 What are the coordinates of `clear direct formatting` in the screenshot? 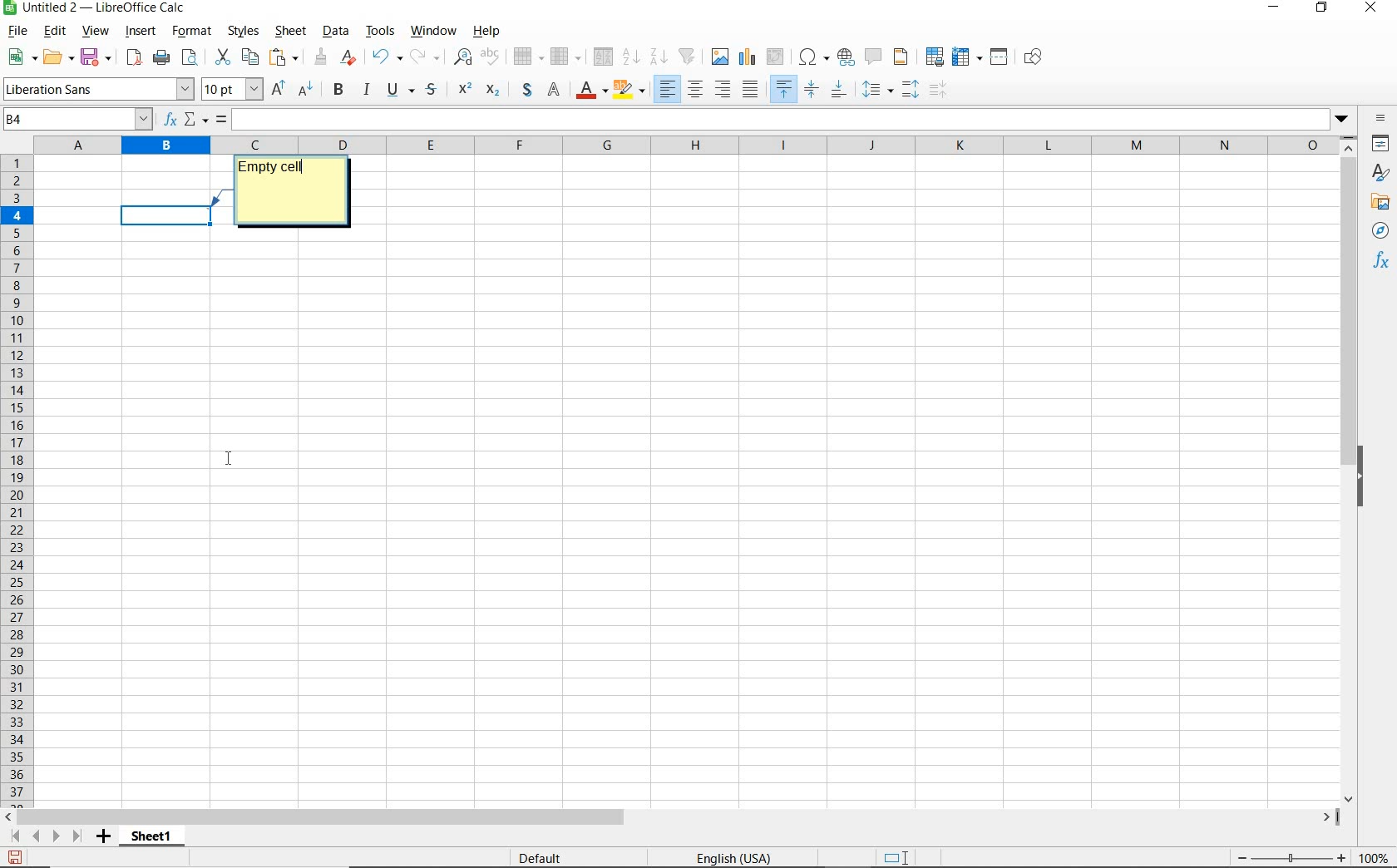 It's located at (350, 59).